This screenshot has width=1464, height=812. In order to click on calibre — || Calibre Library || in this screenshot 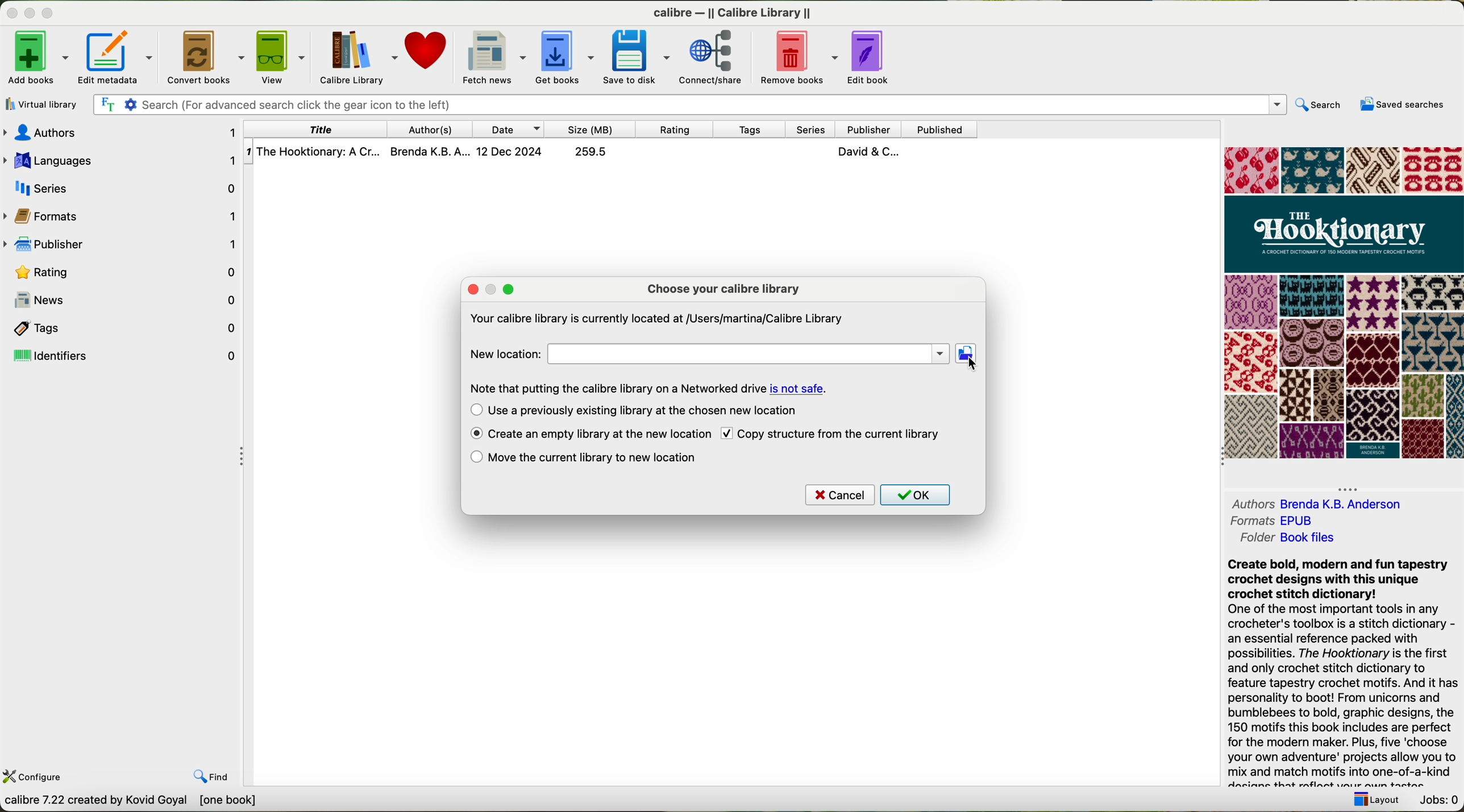, I will do `click(731, 11)`.